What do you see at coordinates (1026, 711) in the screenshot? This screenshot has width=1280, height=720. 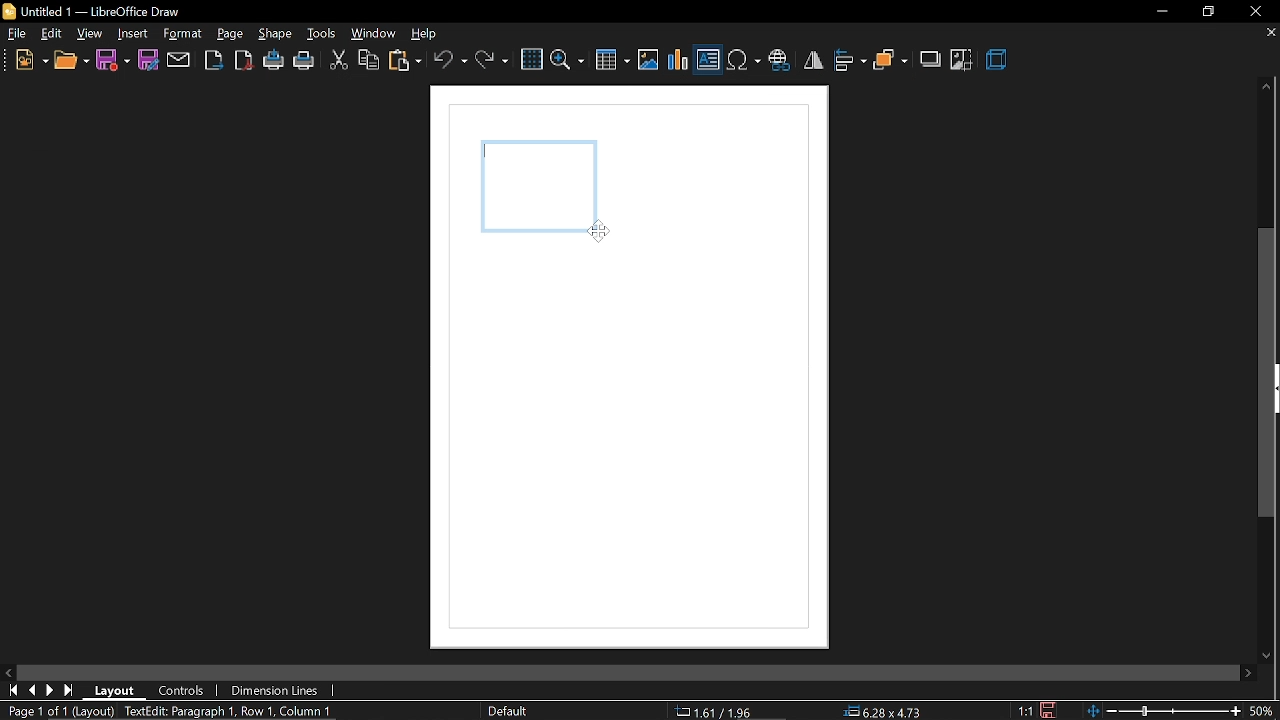 I see `scaling factor` at bounding box center [1026, 711].